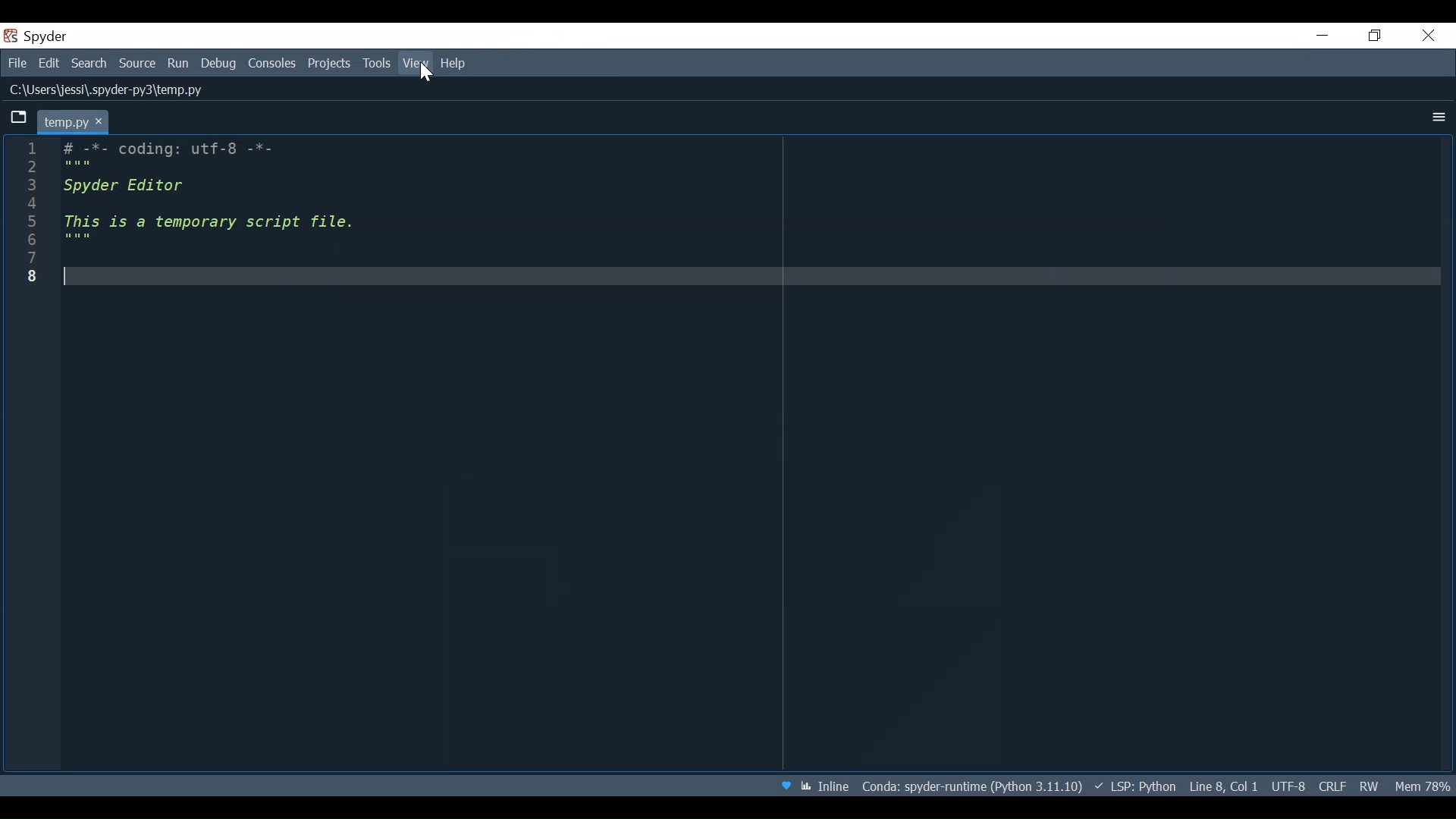 Image resolution: width=1456 pixels, height=819 pixels. Describe the element at coordinates (784, 785) in the screenshot. I see `Help Spyder` at that location.